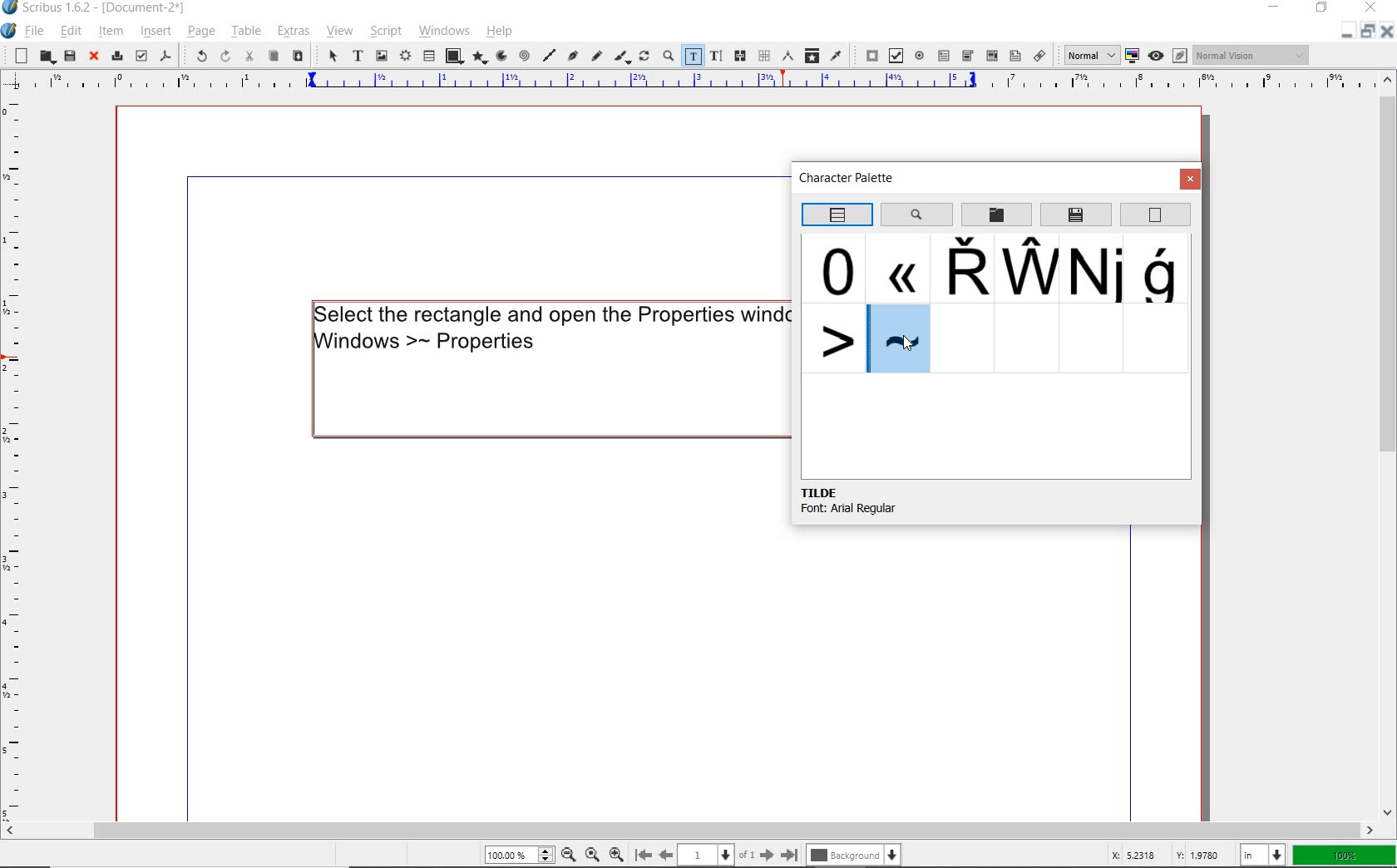 This screenshot has height=868, width=1397. What do you see at coordinates (837, 55) in the screenshot?
I see `eye dropper` at bounding box center [837, 55].